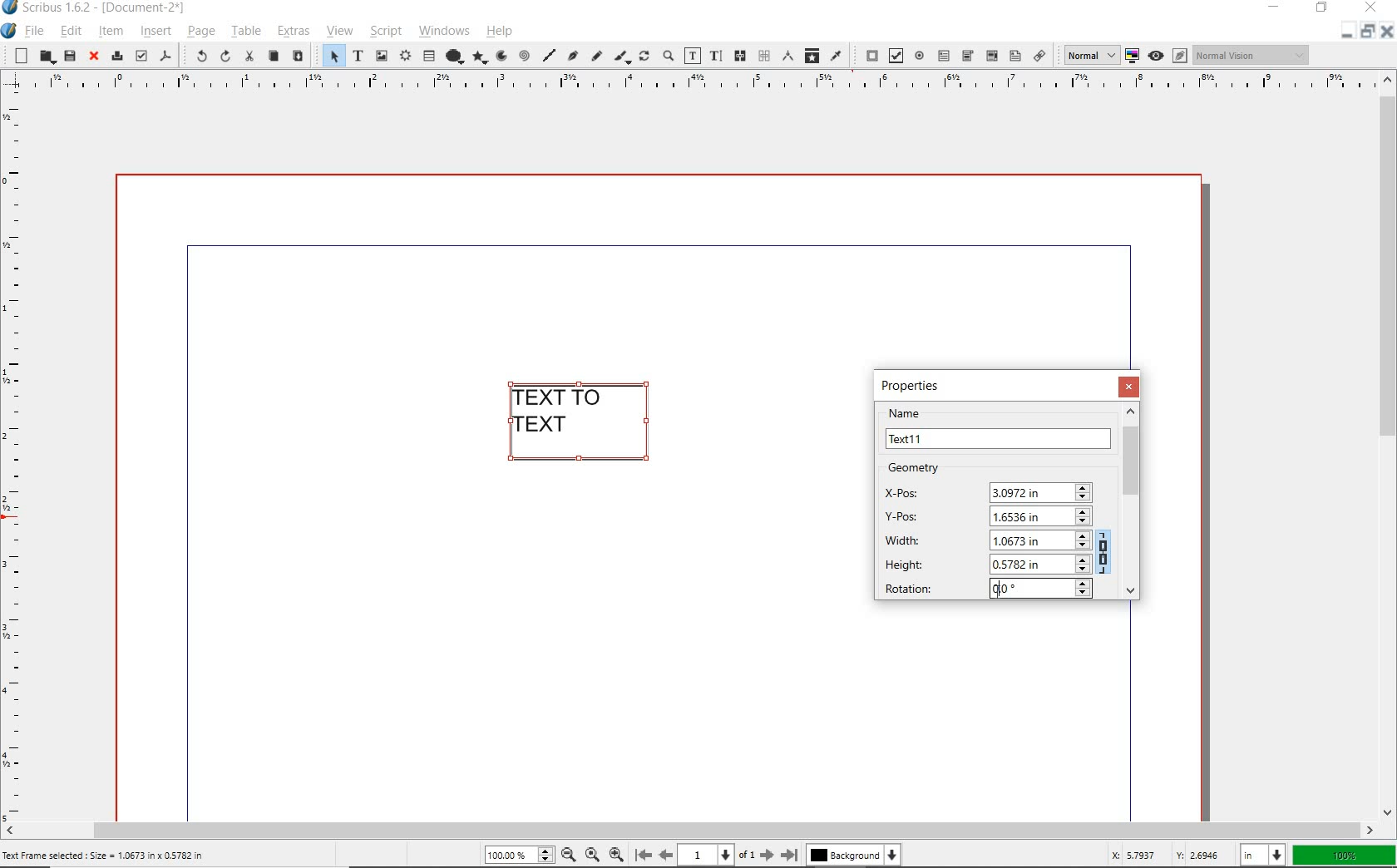 This screenshot has height=868, width=1397. I want to click on background, so click(857, 857).